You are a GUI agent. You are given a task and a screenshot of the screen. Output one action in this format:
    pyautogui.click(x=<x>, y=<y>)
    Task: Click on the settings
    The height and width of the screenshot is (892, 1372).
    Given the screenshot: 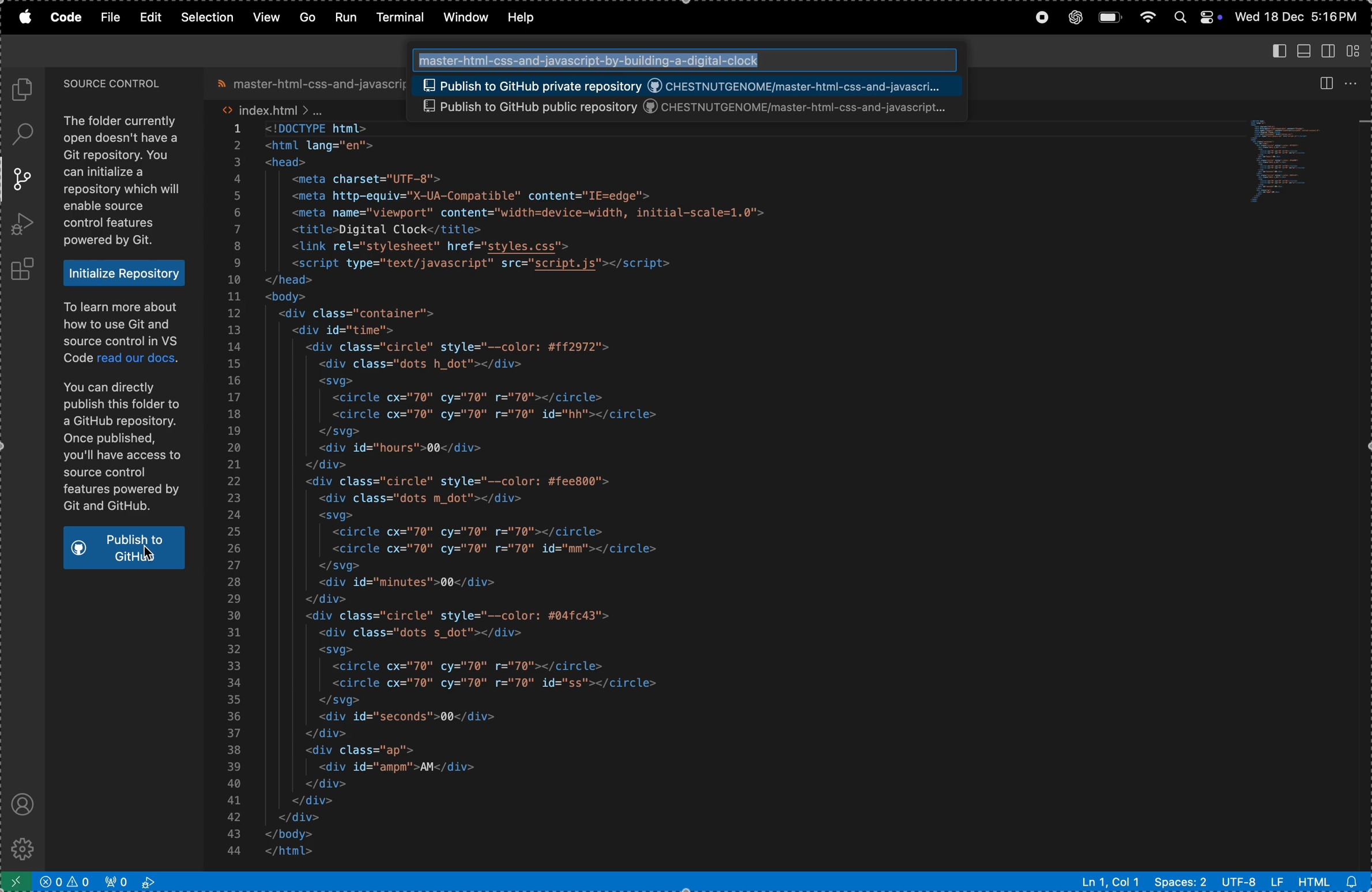 What is the action you would take?
    pyautogui.click(x=26, y=846)
    